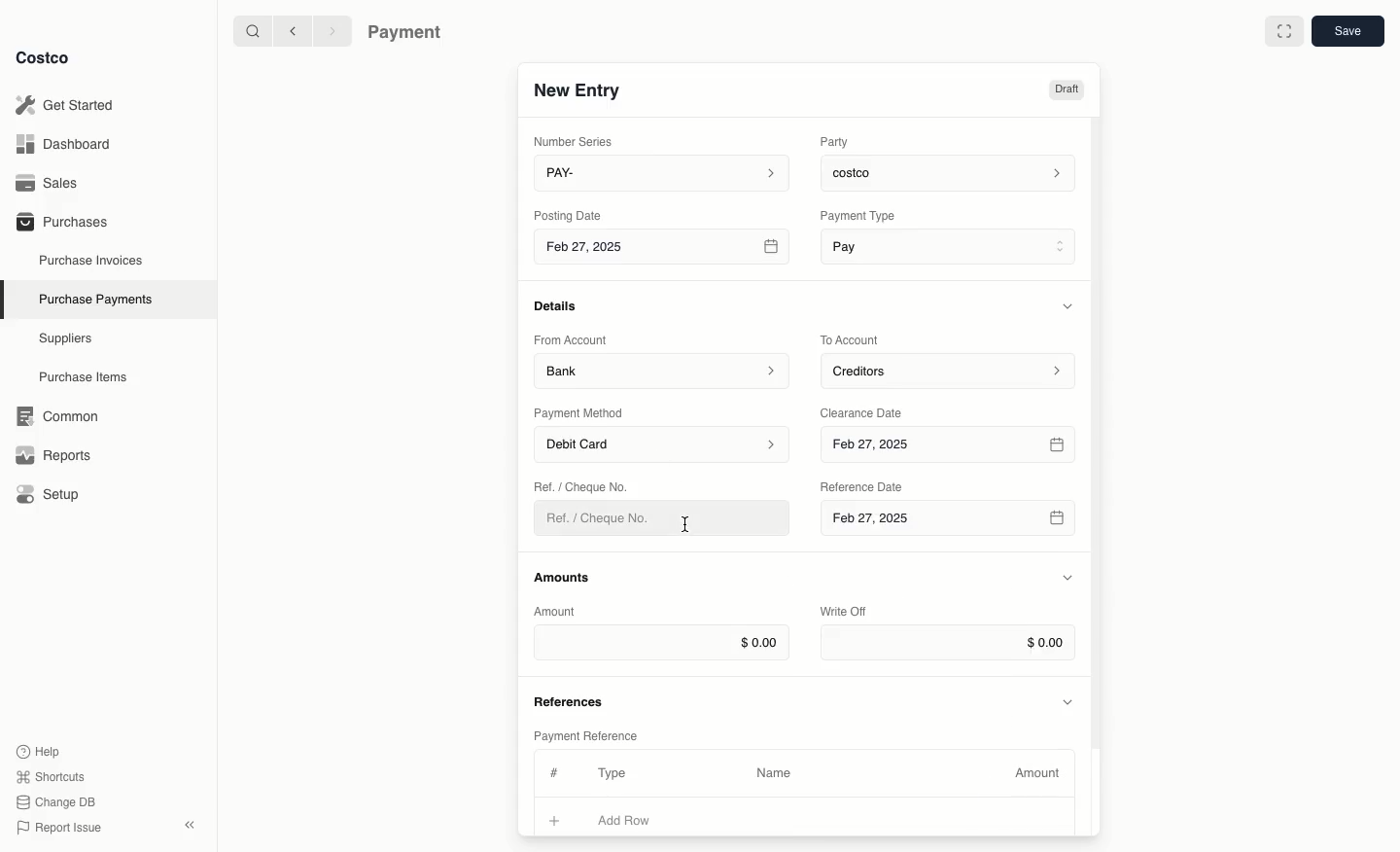 The height and width of the screenshot is (852, 1400). What do you see at coordinates (948, 643) in the screenshot?
I see `$0.00` at bounding box center [948, 643].